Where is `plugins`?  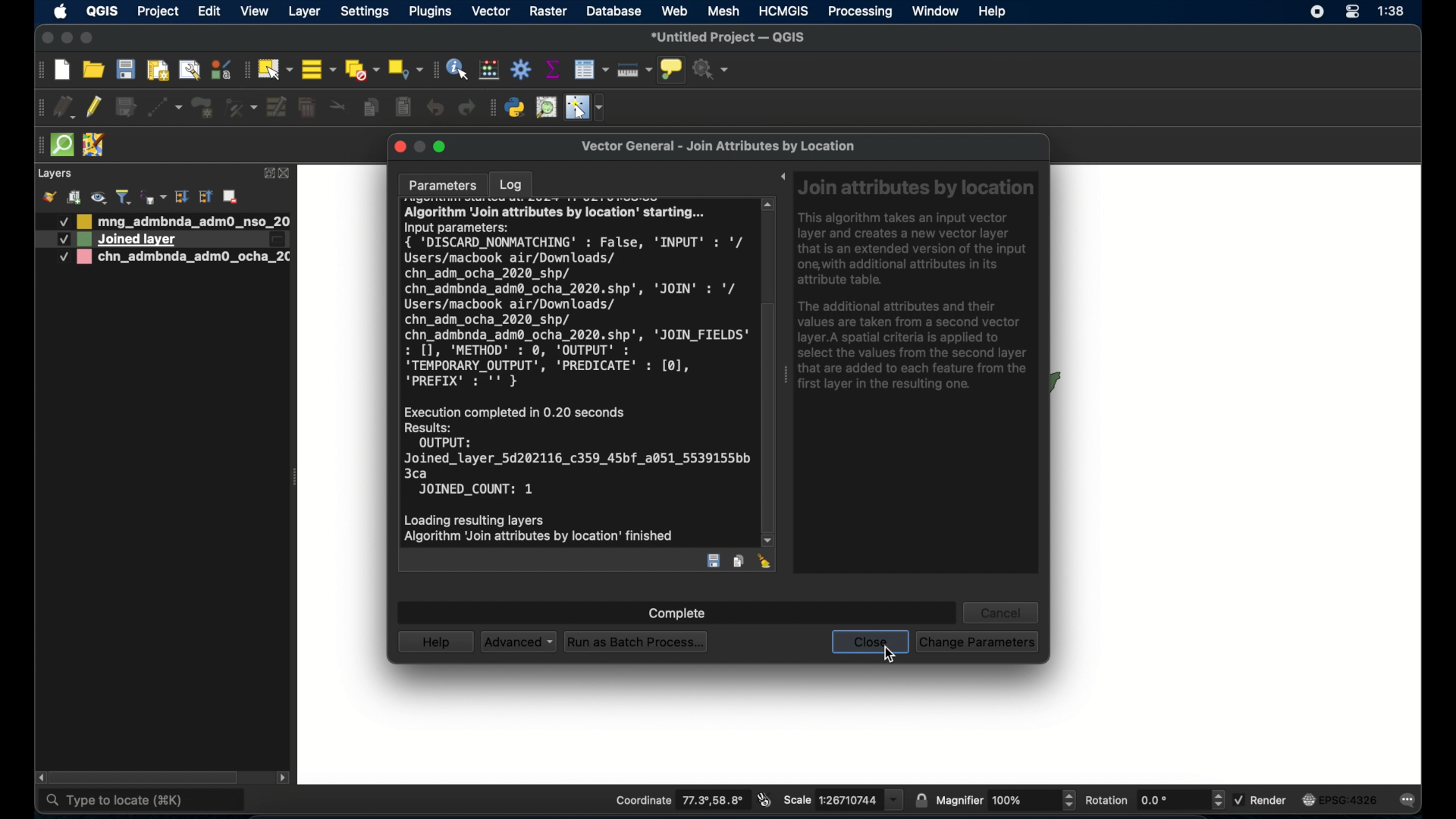 plugins is located at coordinates (429, 12).